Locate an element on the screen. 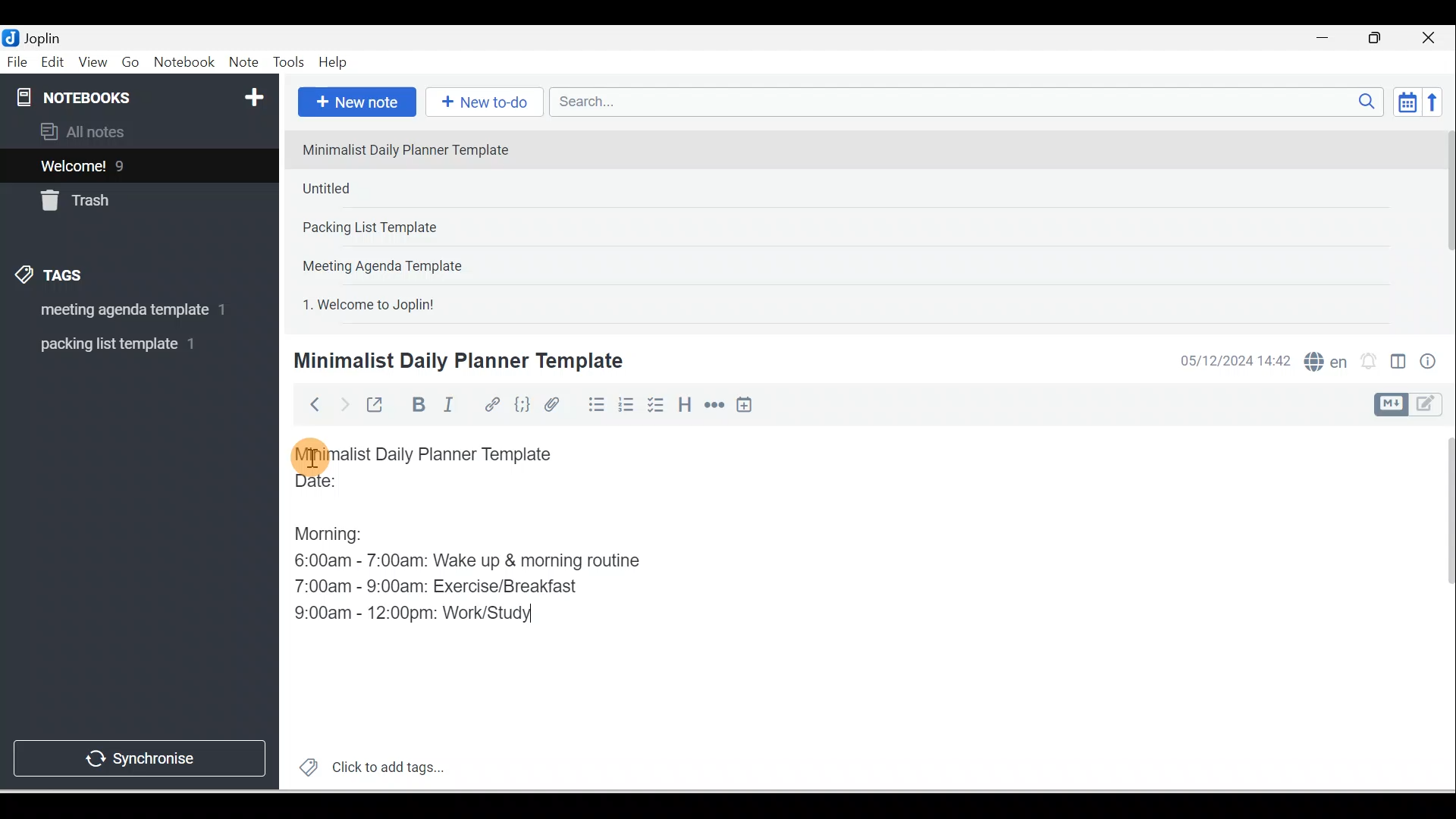  Trash is located at coordinates (111, 196).